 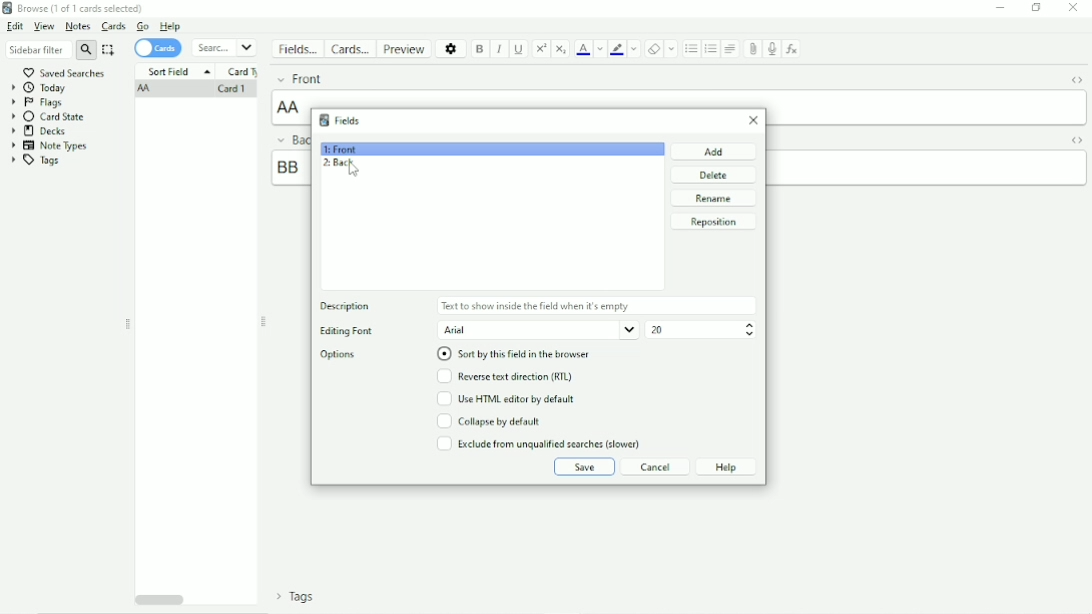 What do you see at coordinates (78, 26) in the screenshot?
I see `Notes` at bounding box center [78, 26].